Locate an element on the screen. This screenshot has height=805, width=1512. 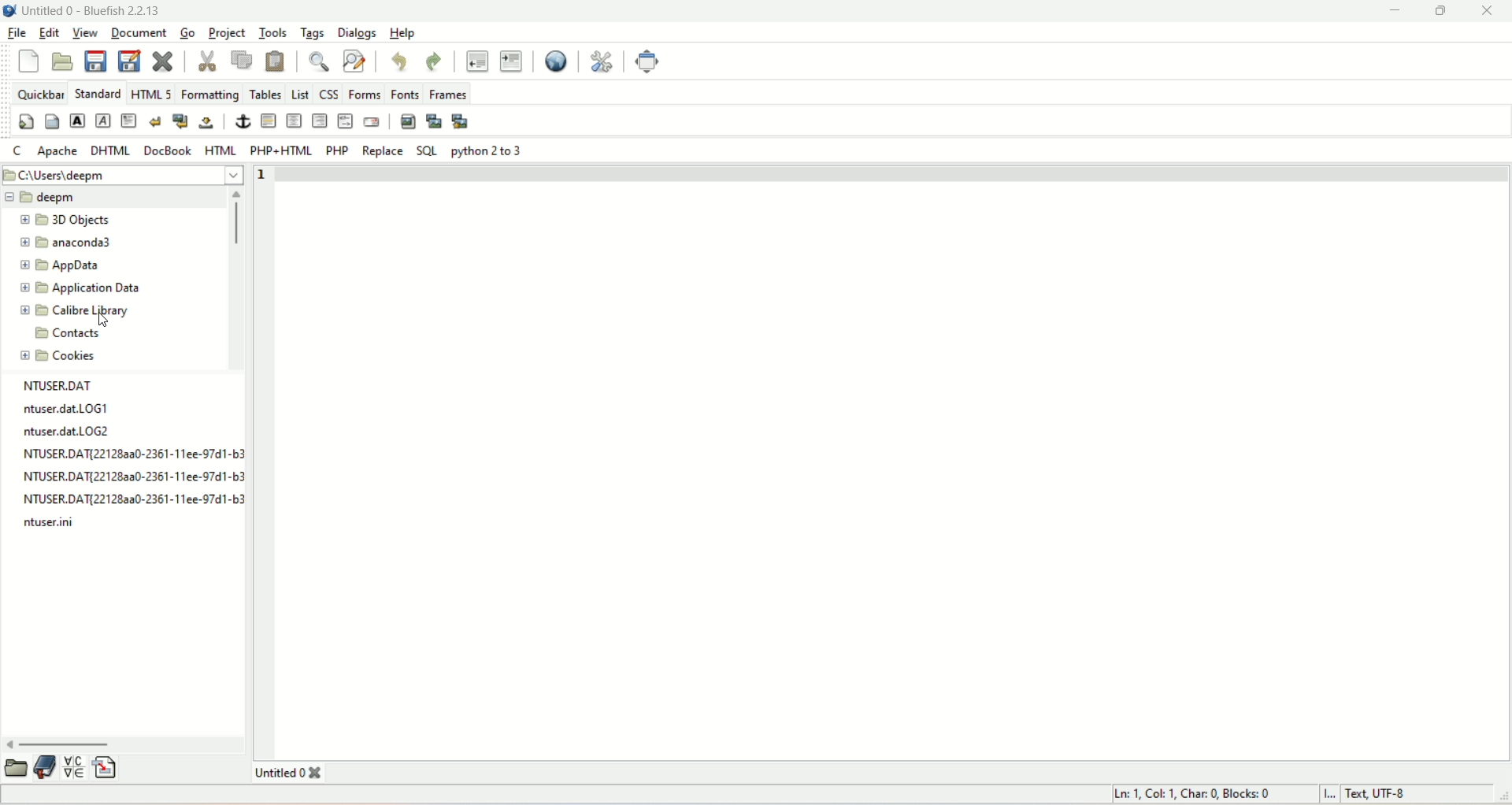
cursor is located at coordinates (100, 318).